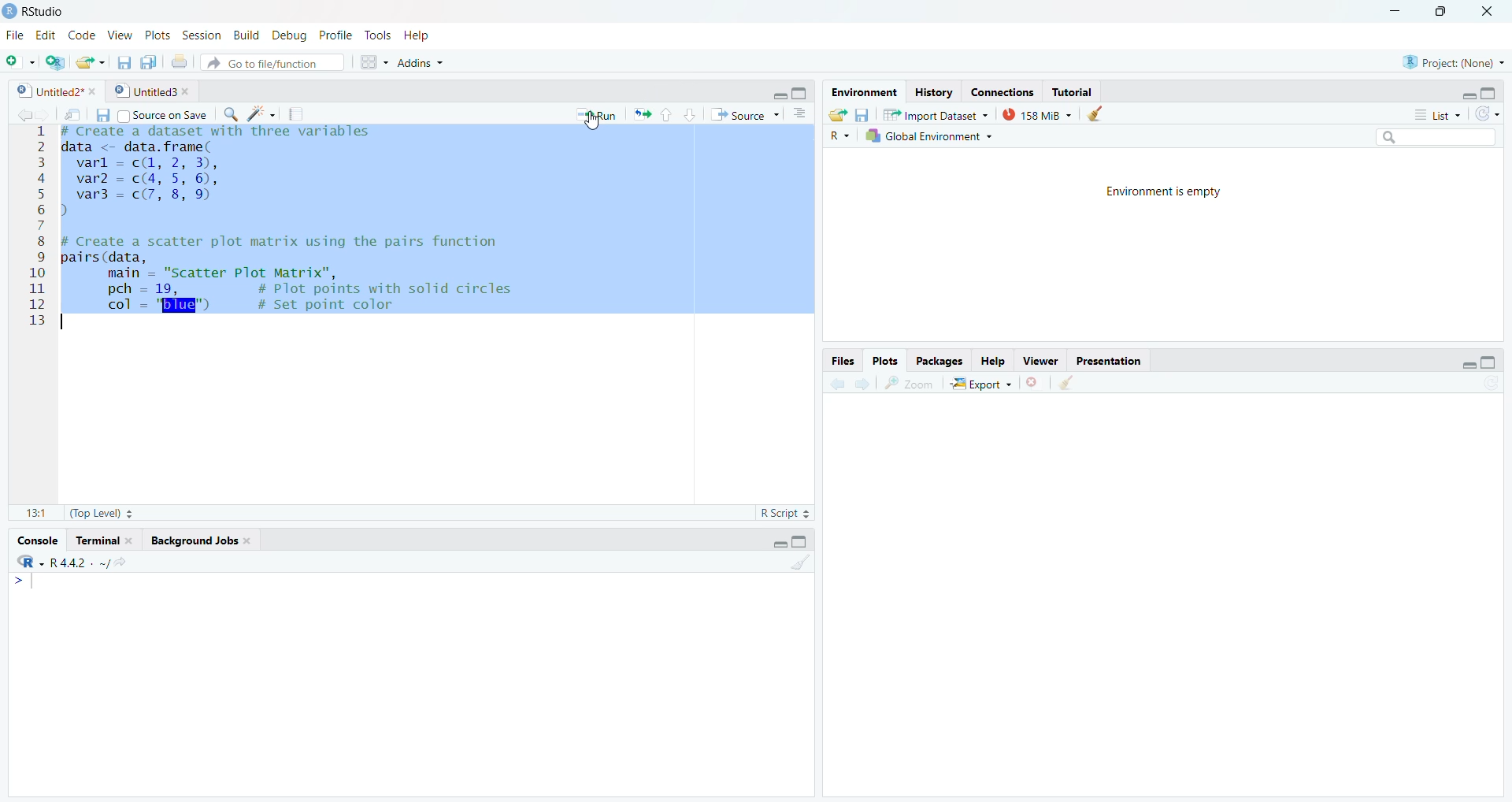 The width and height of the screenshot is (1512, 802). I want to click on © | Untitled2* *, so click(51, 89).